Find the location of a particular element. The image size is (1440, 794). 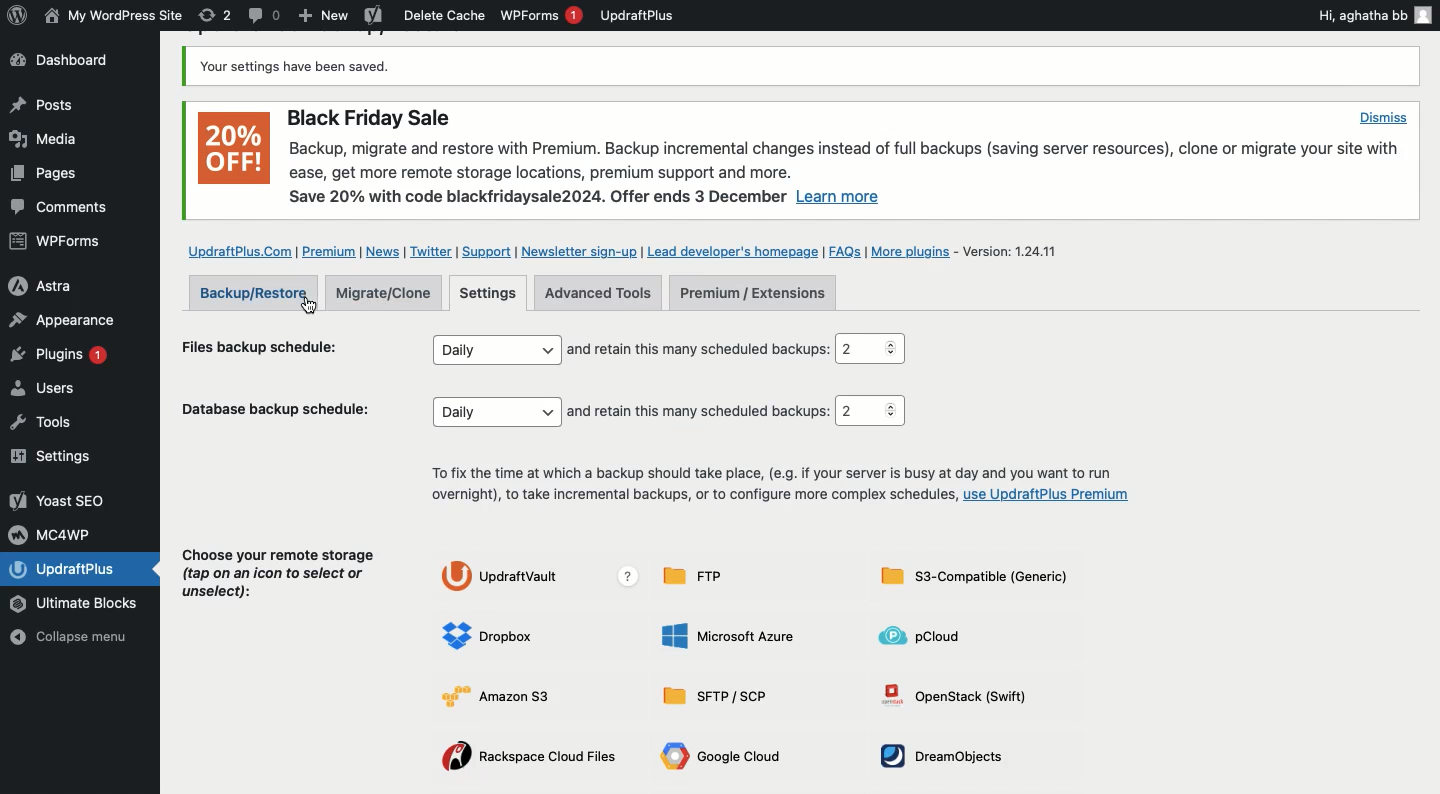

Ultimate Blocks is located at coordinates (78, 604).